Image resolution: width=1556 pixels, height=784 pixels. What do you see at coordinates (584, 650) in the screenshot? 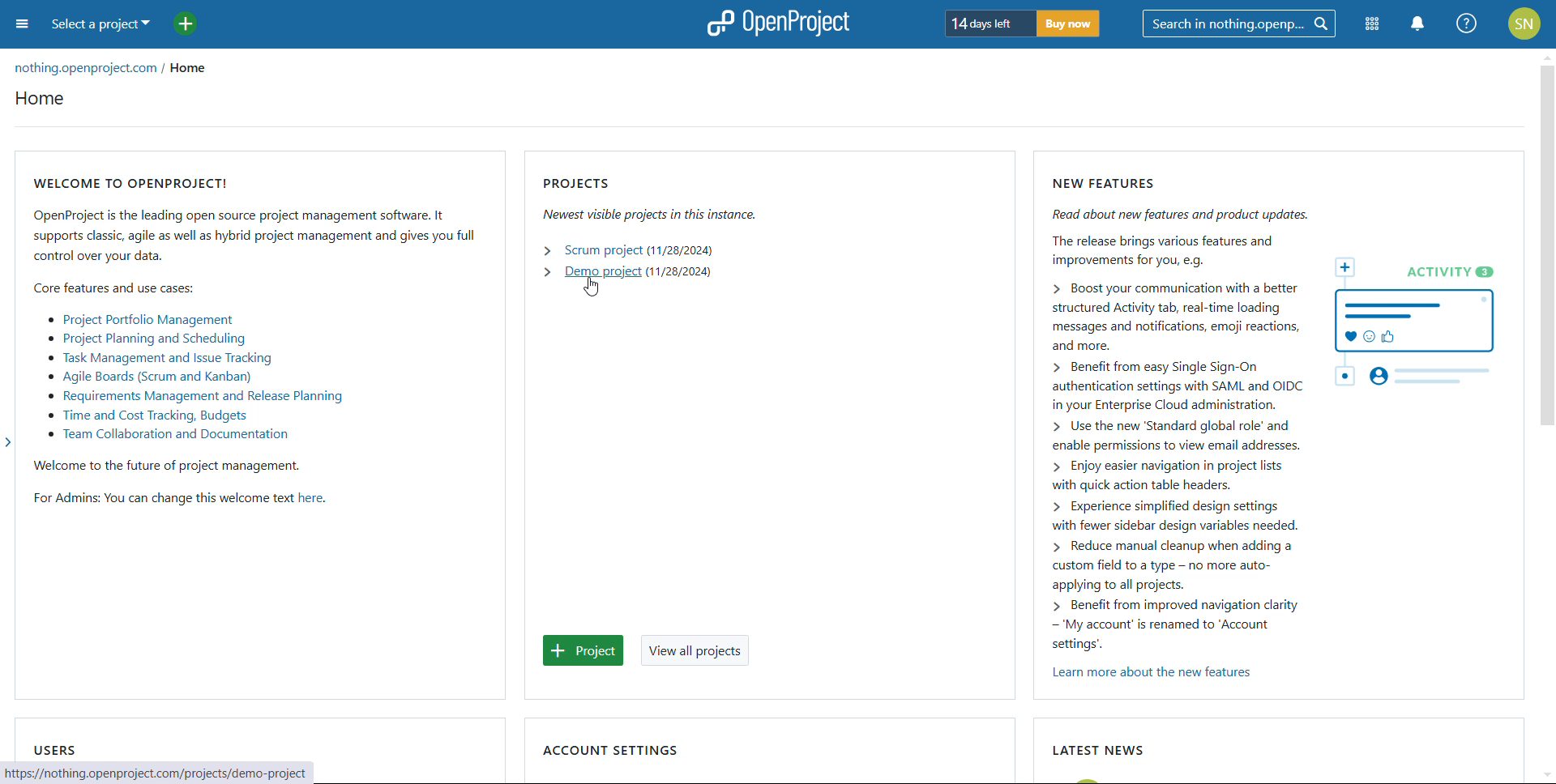
I see `add project` at bounding box center [584, 650].